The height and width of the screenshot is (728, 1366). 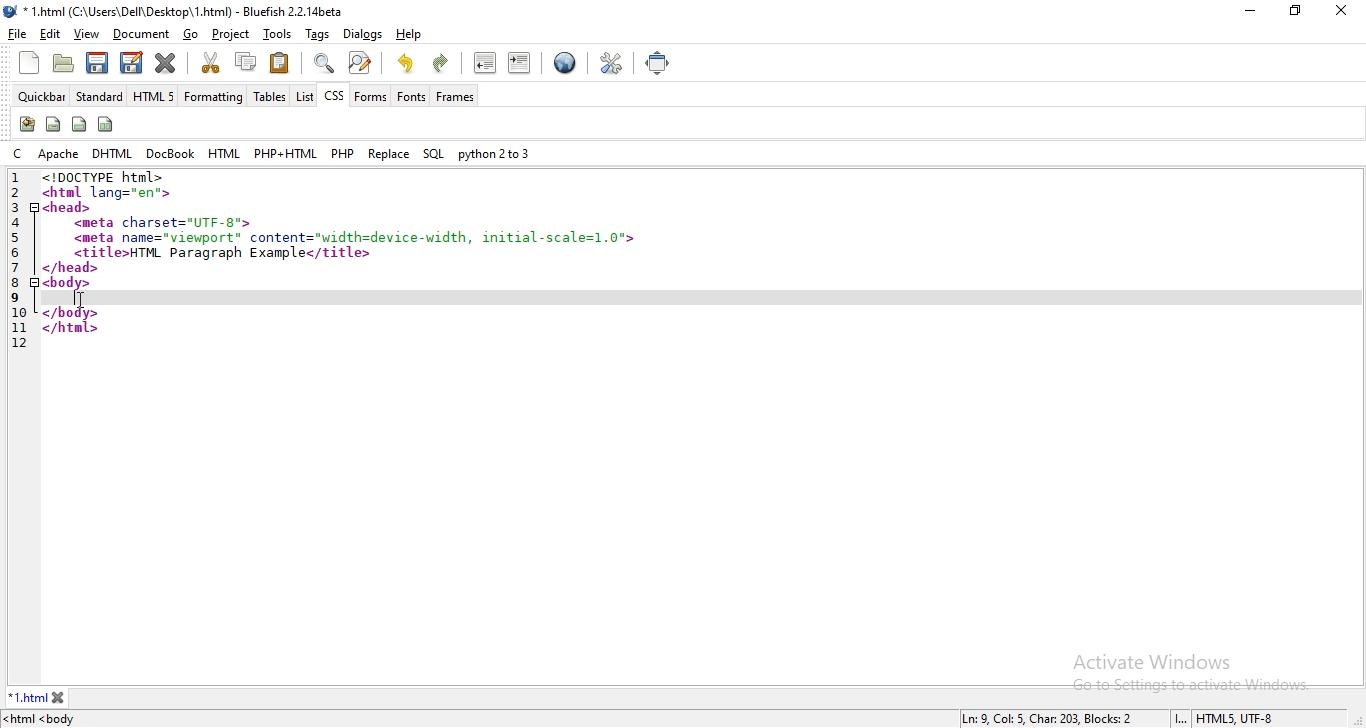 What do you see at coordinates (411, 96) in the screenshot?
I see `fonts` at bounding box center [411, 96].